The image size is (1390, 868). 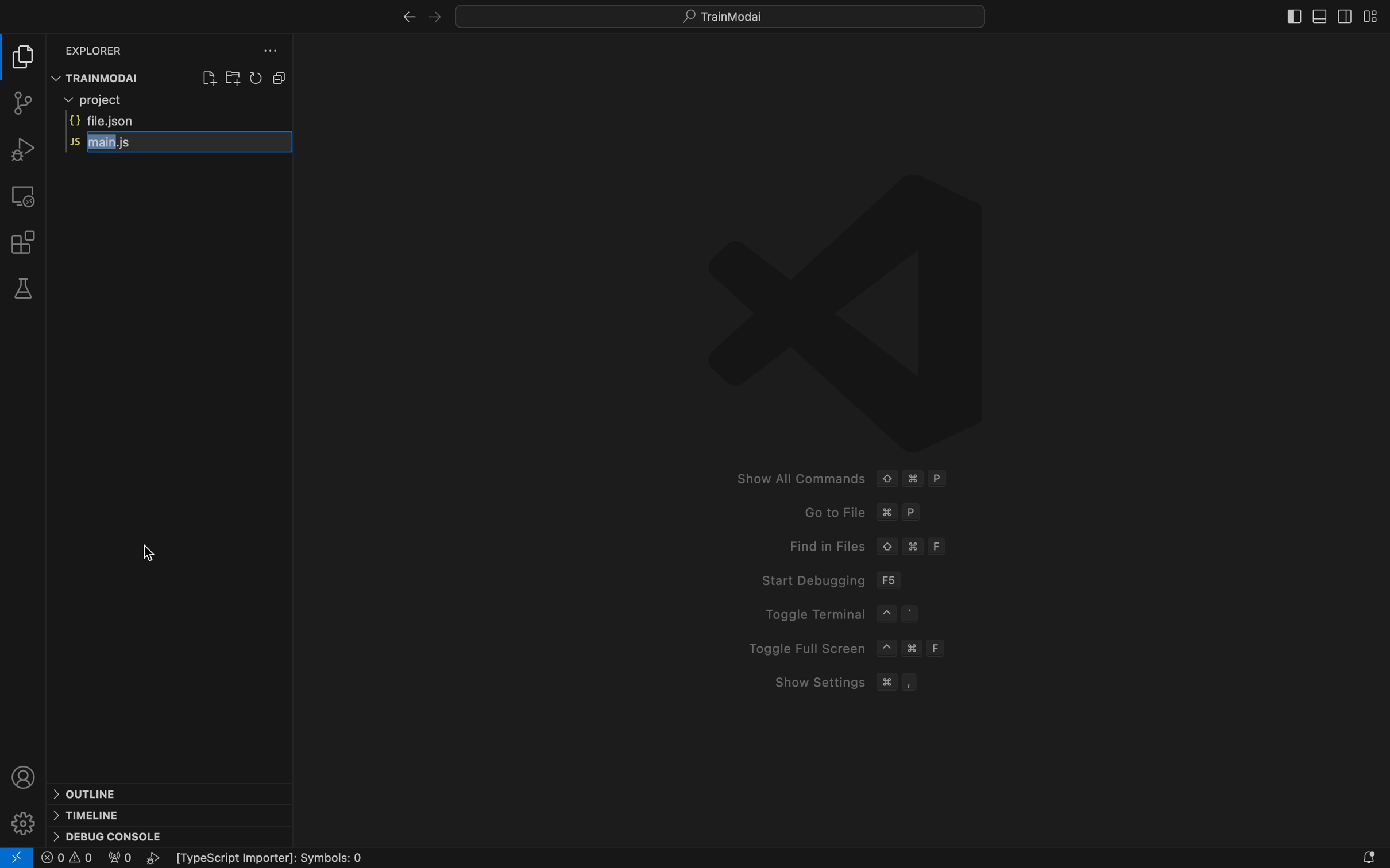 What do you see at coordinates (123, 858) in the screenshot?
I see `0` at bounding box center [123, 858].